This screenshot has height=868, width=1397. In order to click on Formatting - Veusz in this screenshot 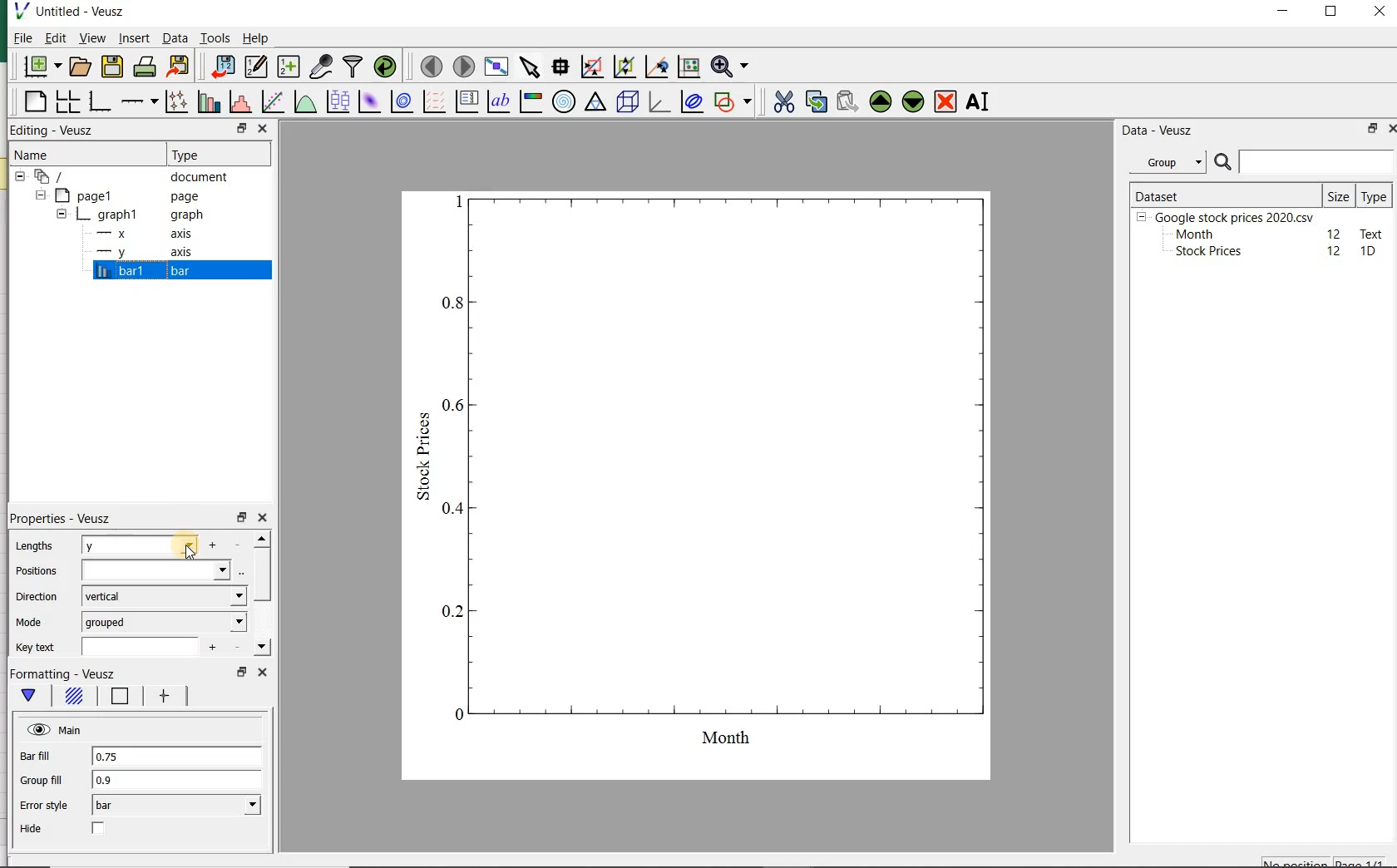, I will do `click(67, 672)`.